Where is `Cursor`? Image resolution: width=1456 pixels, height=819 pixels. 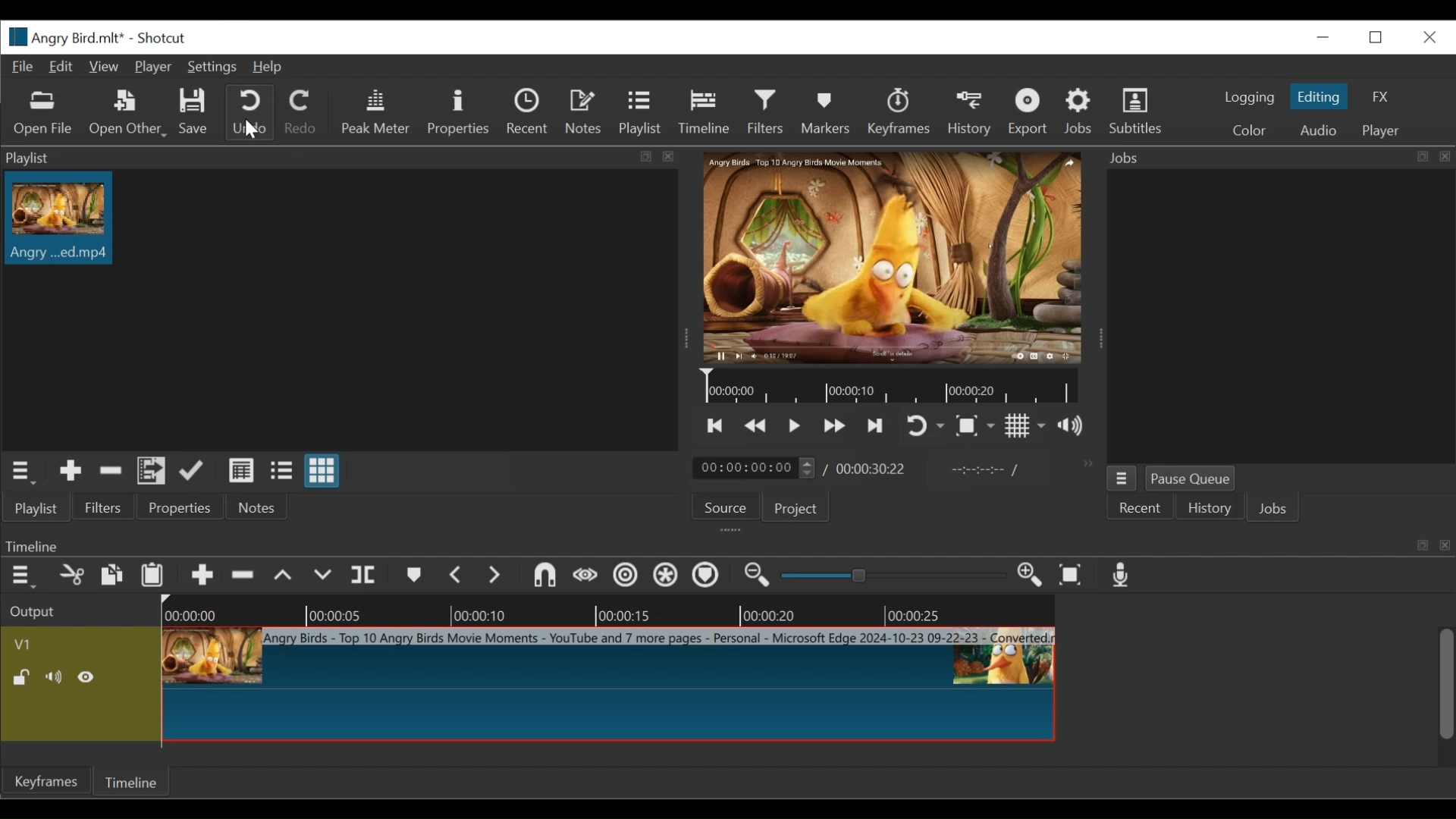
Cursor is located at coordinates (248, 132).